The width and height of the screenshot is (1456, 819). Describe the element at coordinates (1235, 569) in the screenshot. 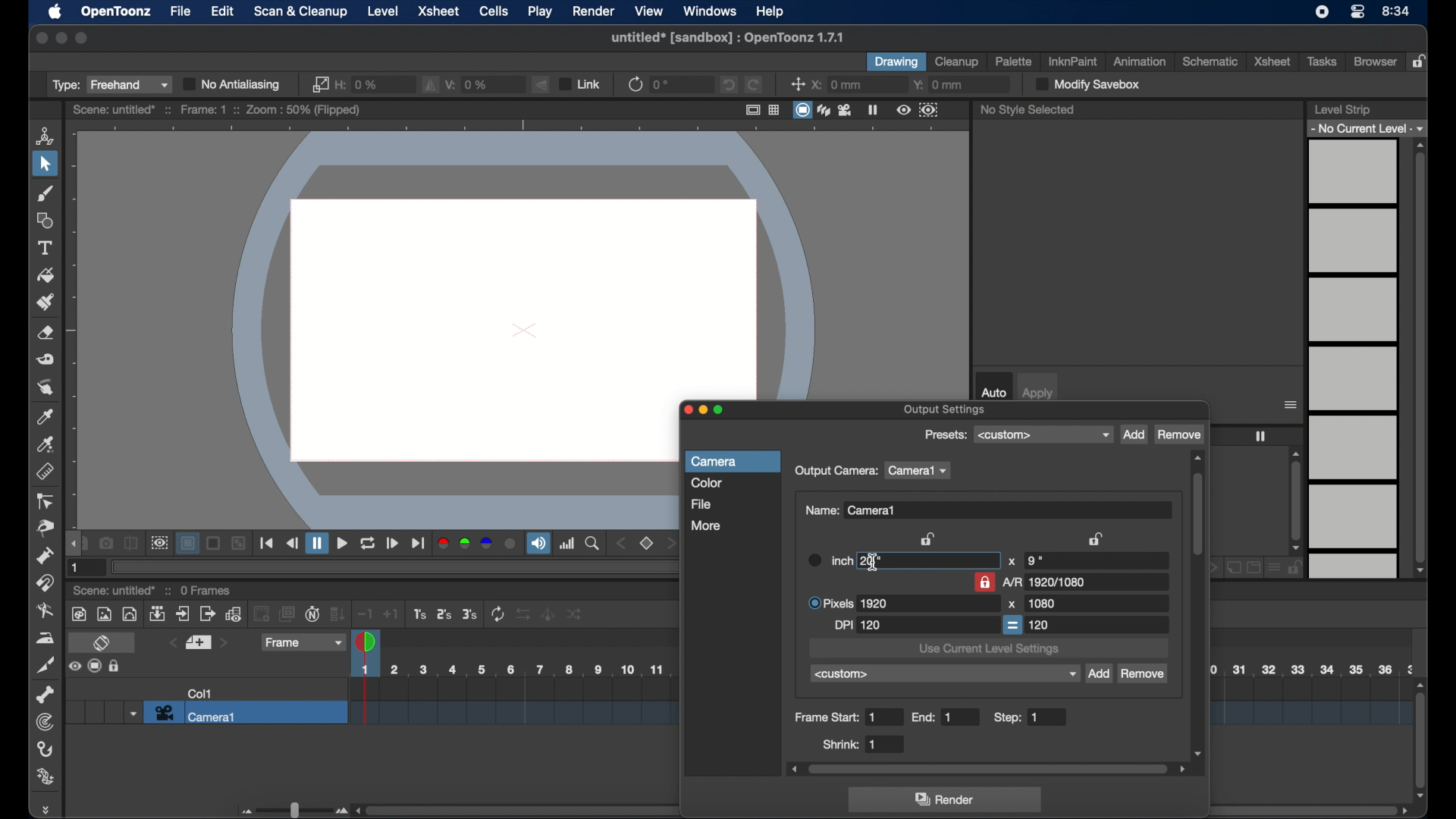

I see `` at that location.